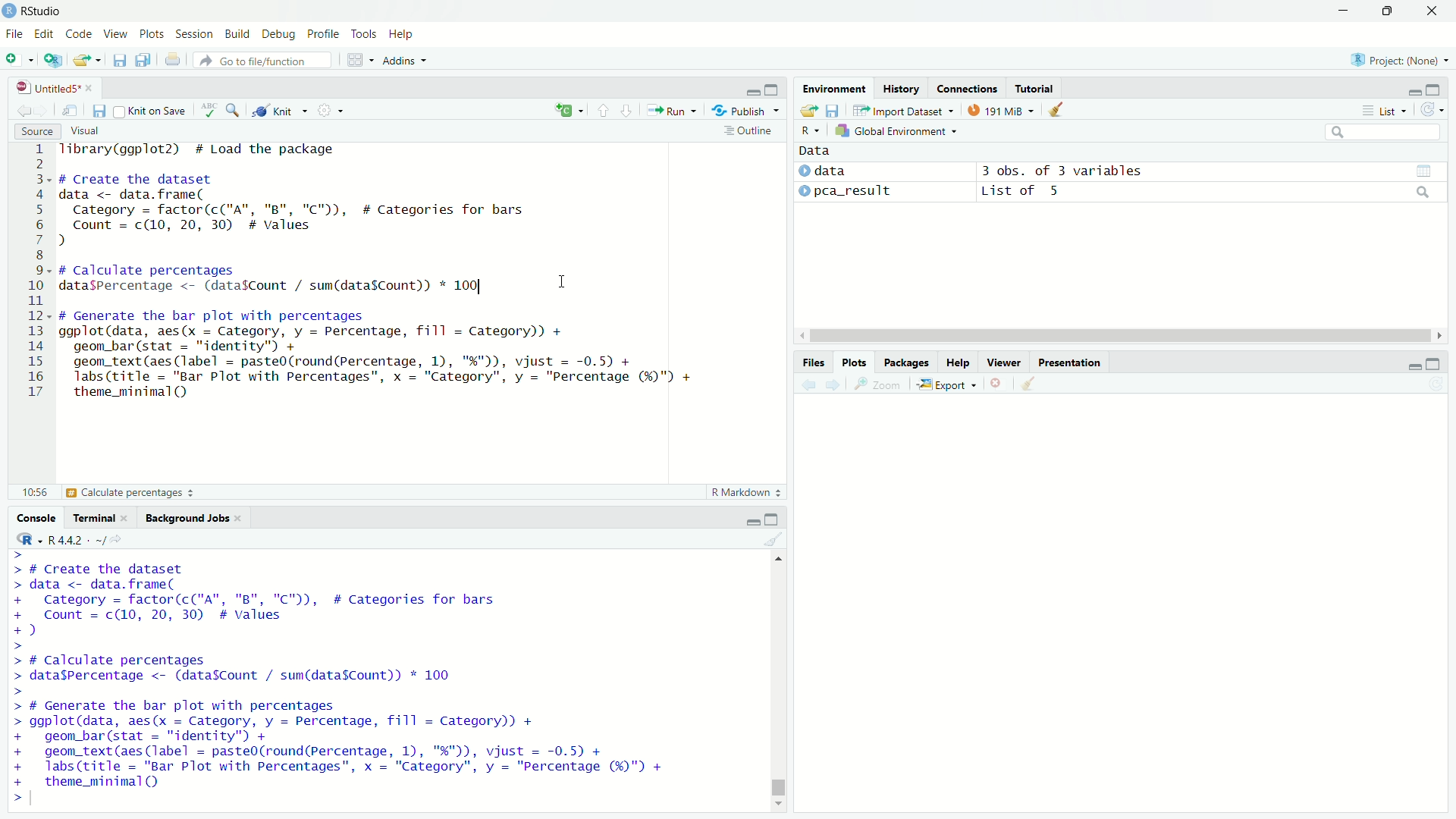 The width and height of the screenshot is (1456, 819). What do you see at coordinates (10, 11) in the screenshot?
I see `logo` at bounding box center [10, 11].